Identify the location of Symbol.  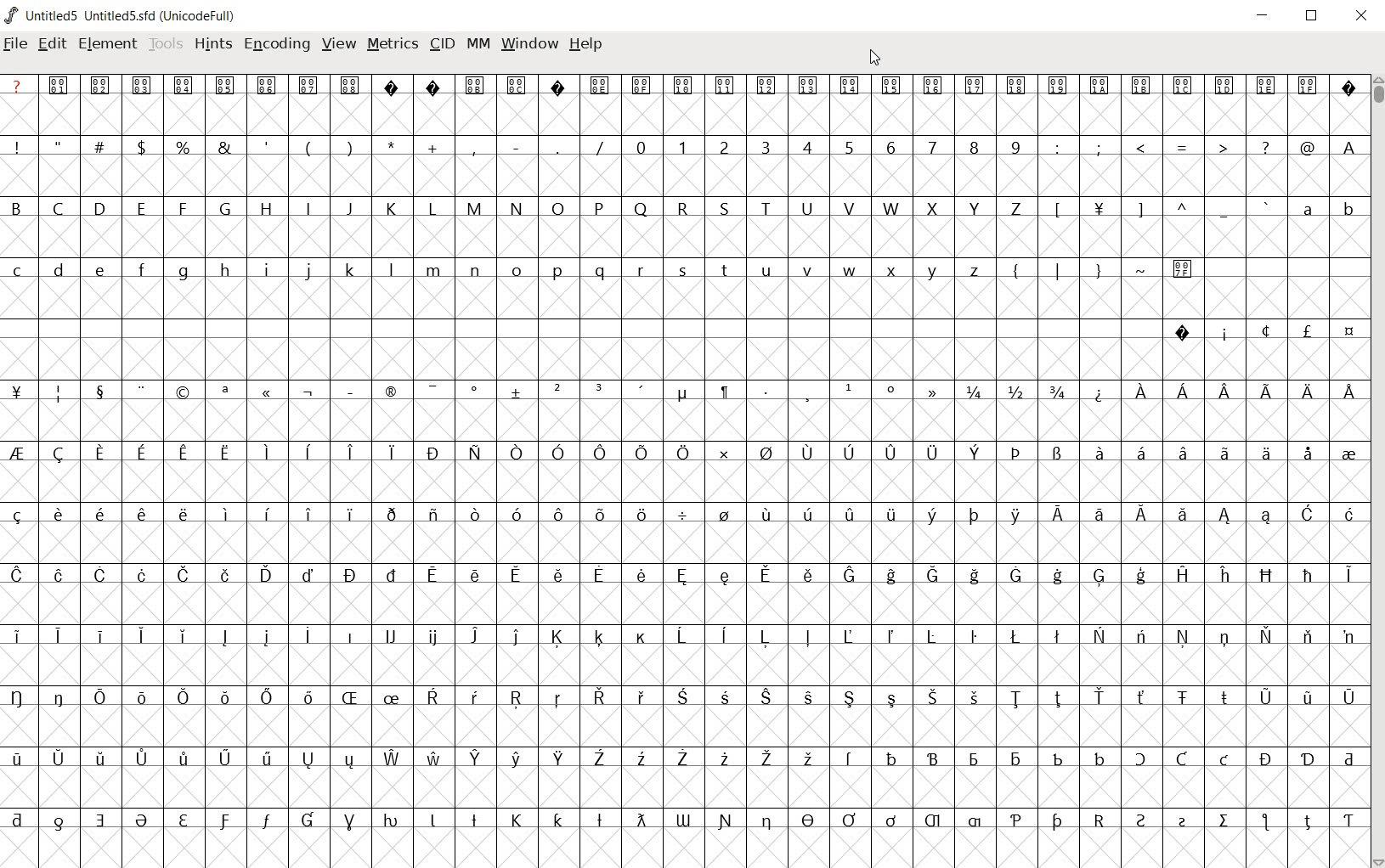
(1309, 87).